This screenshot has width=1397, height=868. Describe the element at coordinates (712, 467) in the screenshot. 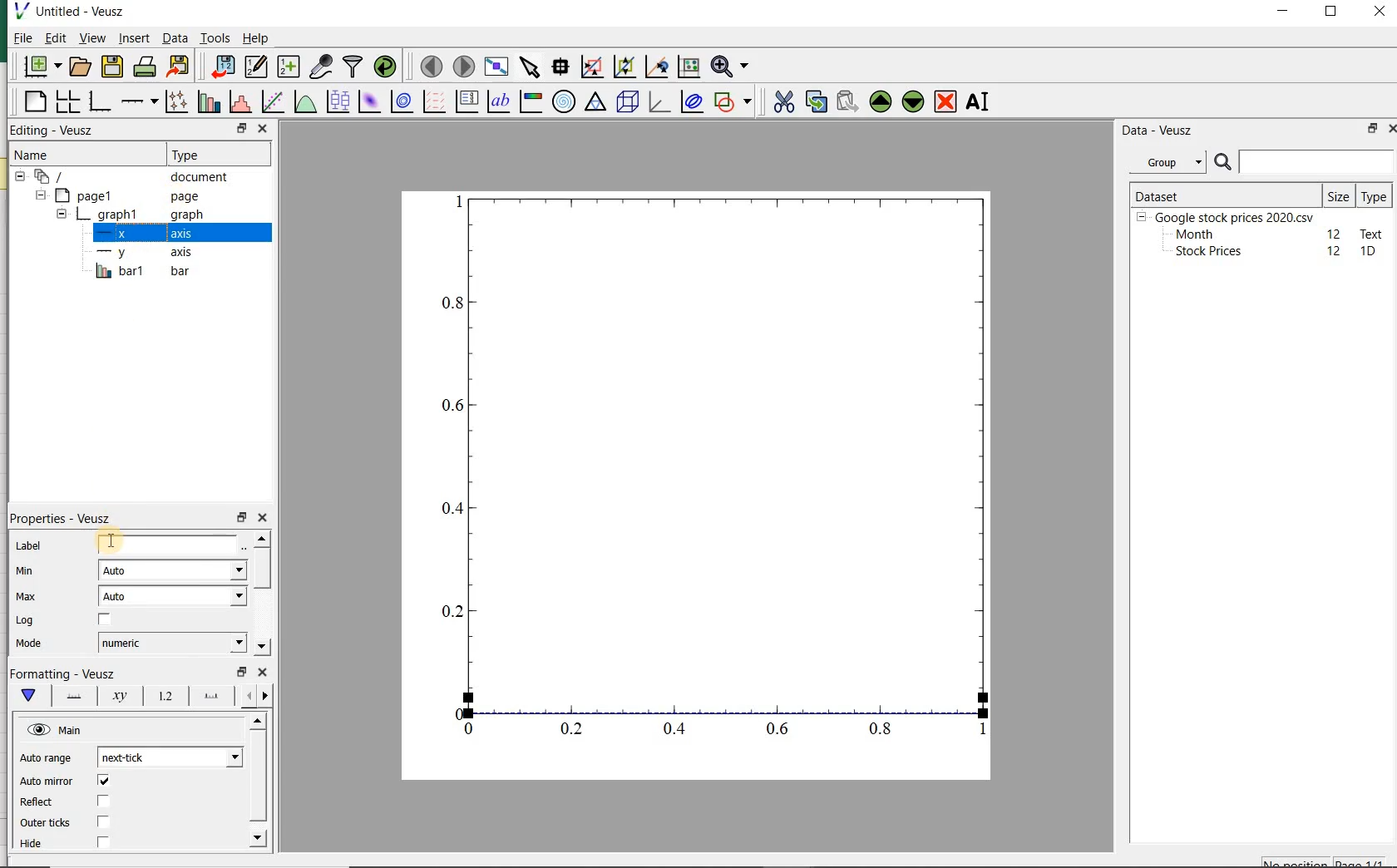

I see `graph` at that location.